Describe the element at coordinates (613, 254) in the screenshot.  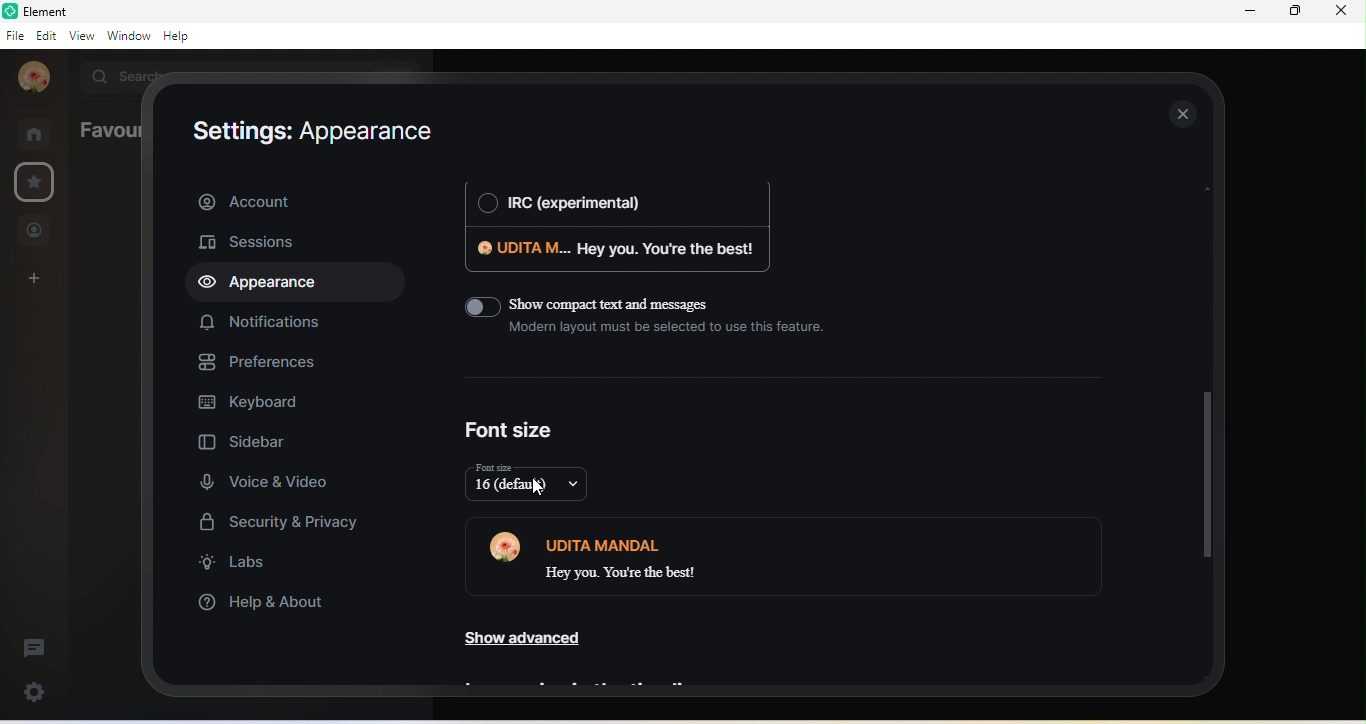
I see `udita m. hey you . you're the best` at that location.